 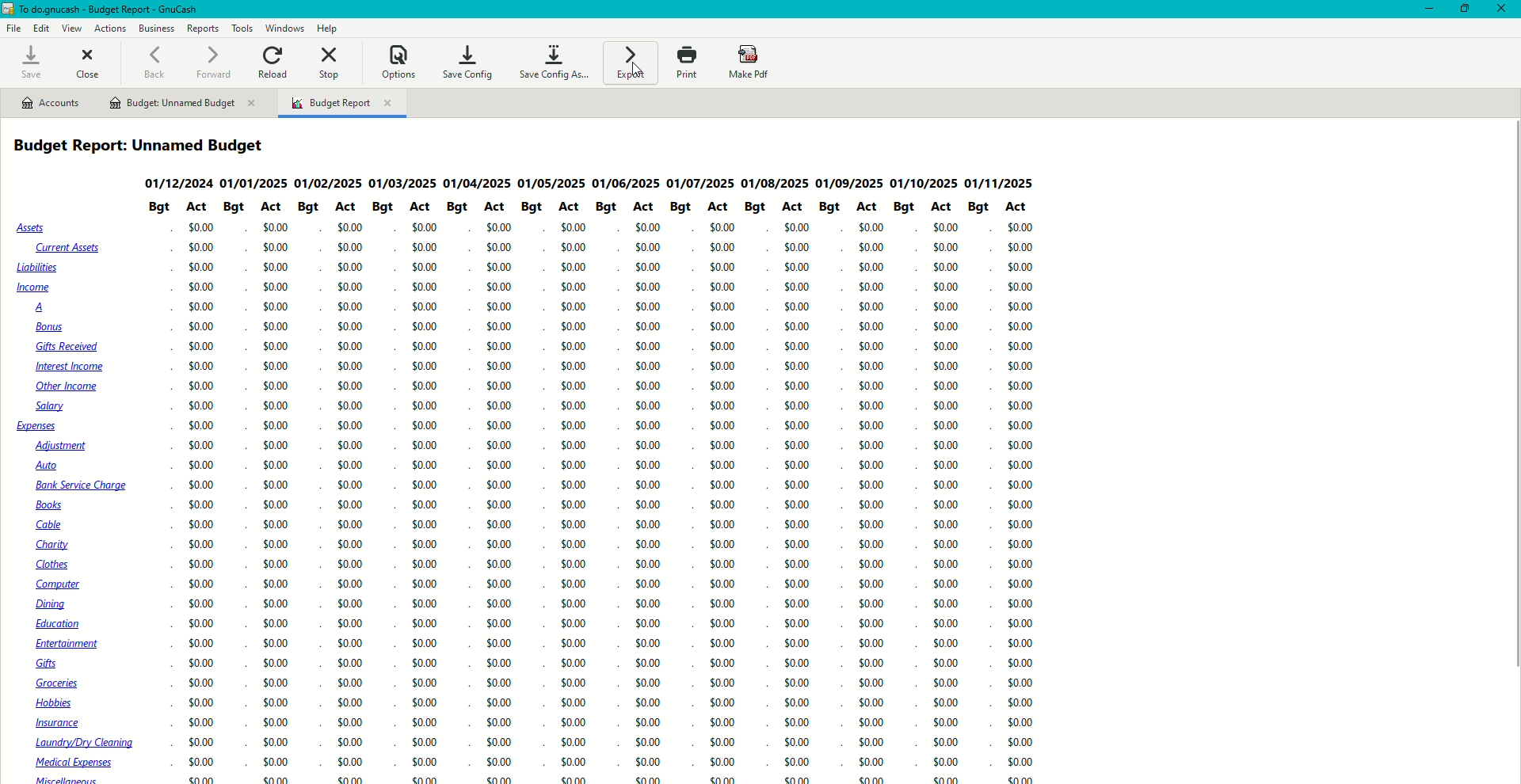 I want to click on $0.00, so click(x=425, y=525).